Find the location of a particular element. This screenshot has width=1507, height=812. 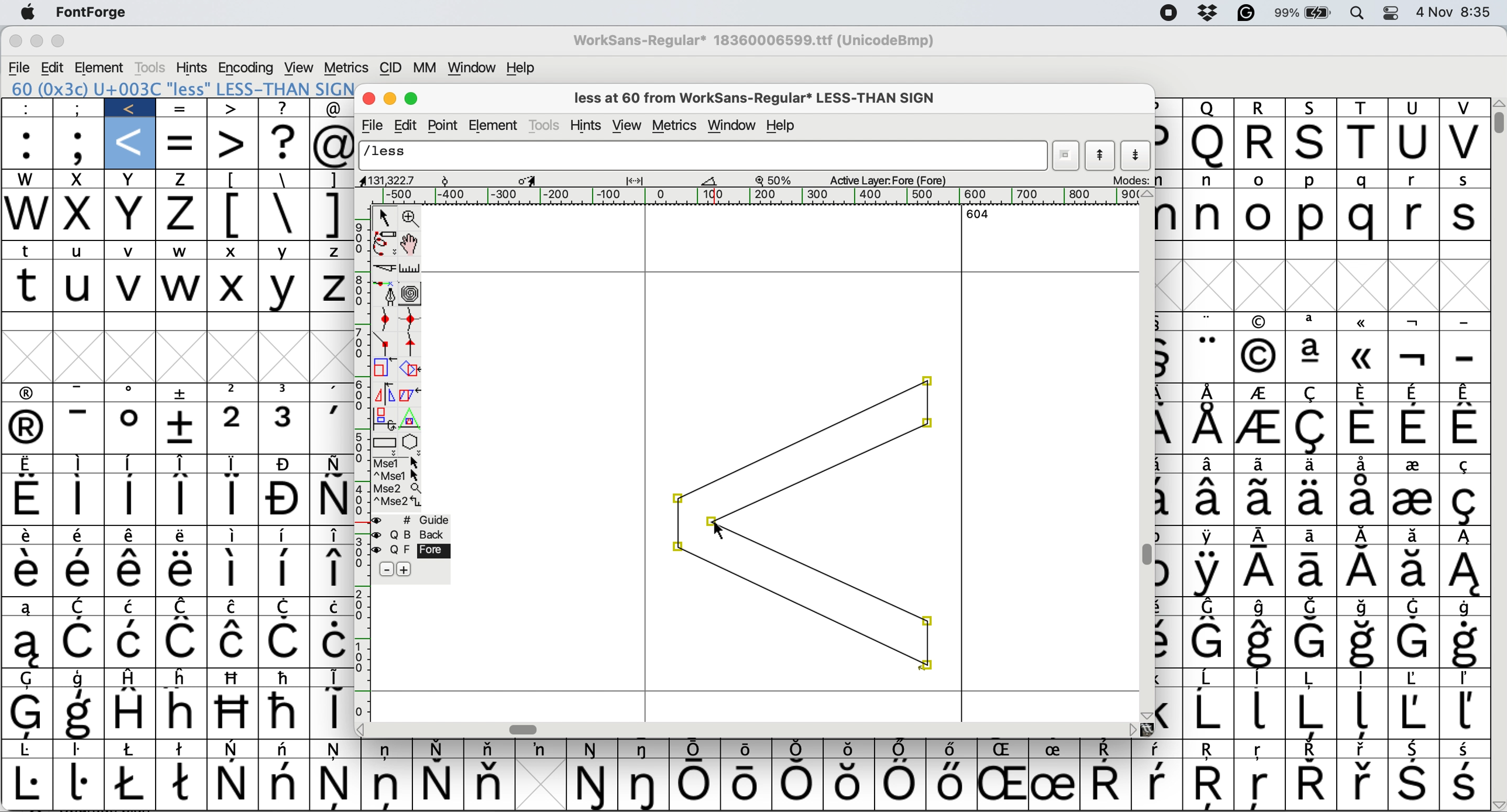

Symbol is located at coordinates (29, 430).